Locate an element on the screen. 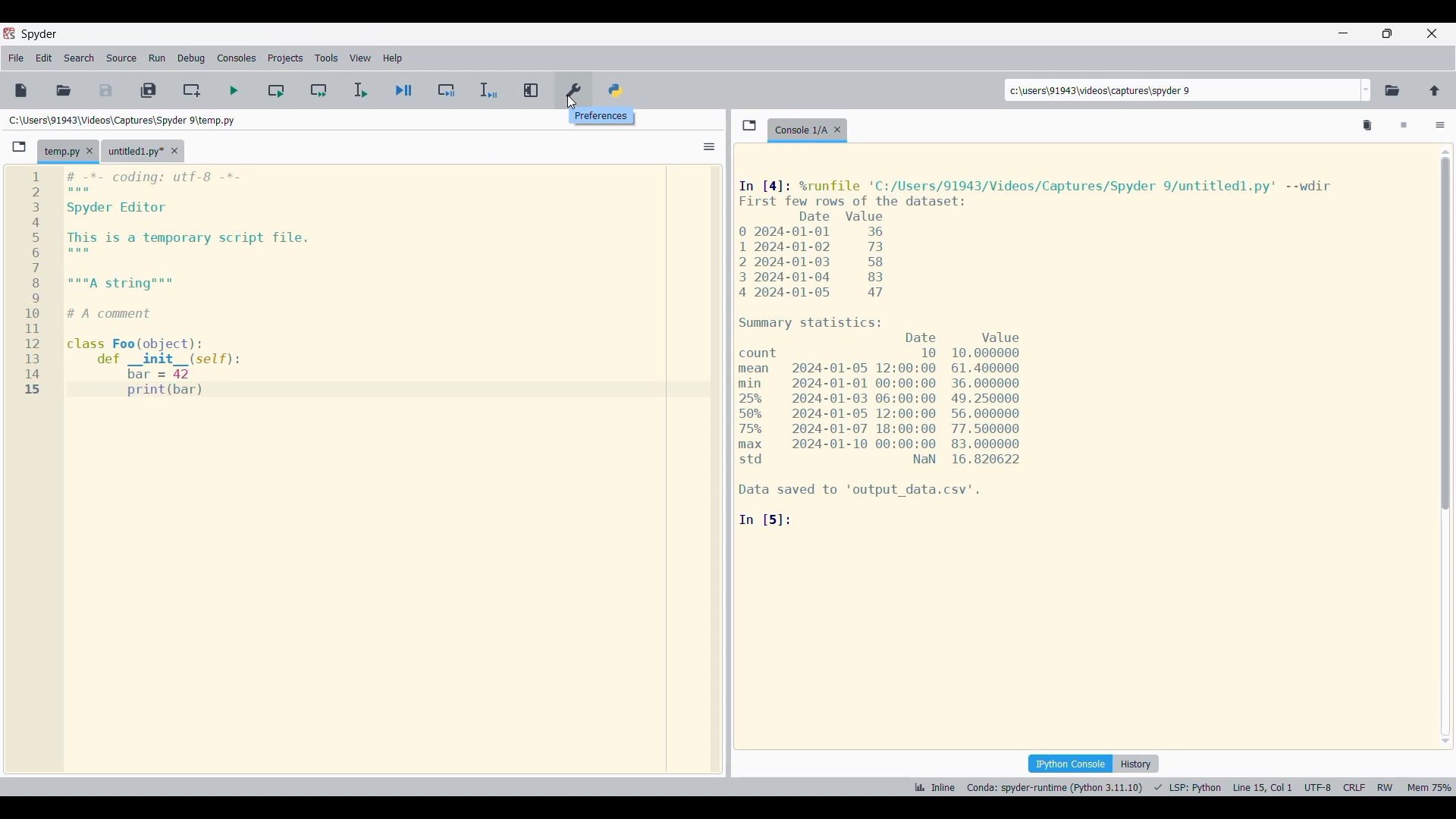 This screenshot has width=1456, height=819. IPython console is located at coordinates (1070, 764).